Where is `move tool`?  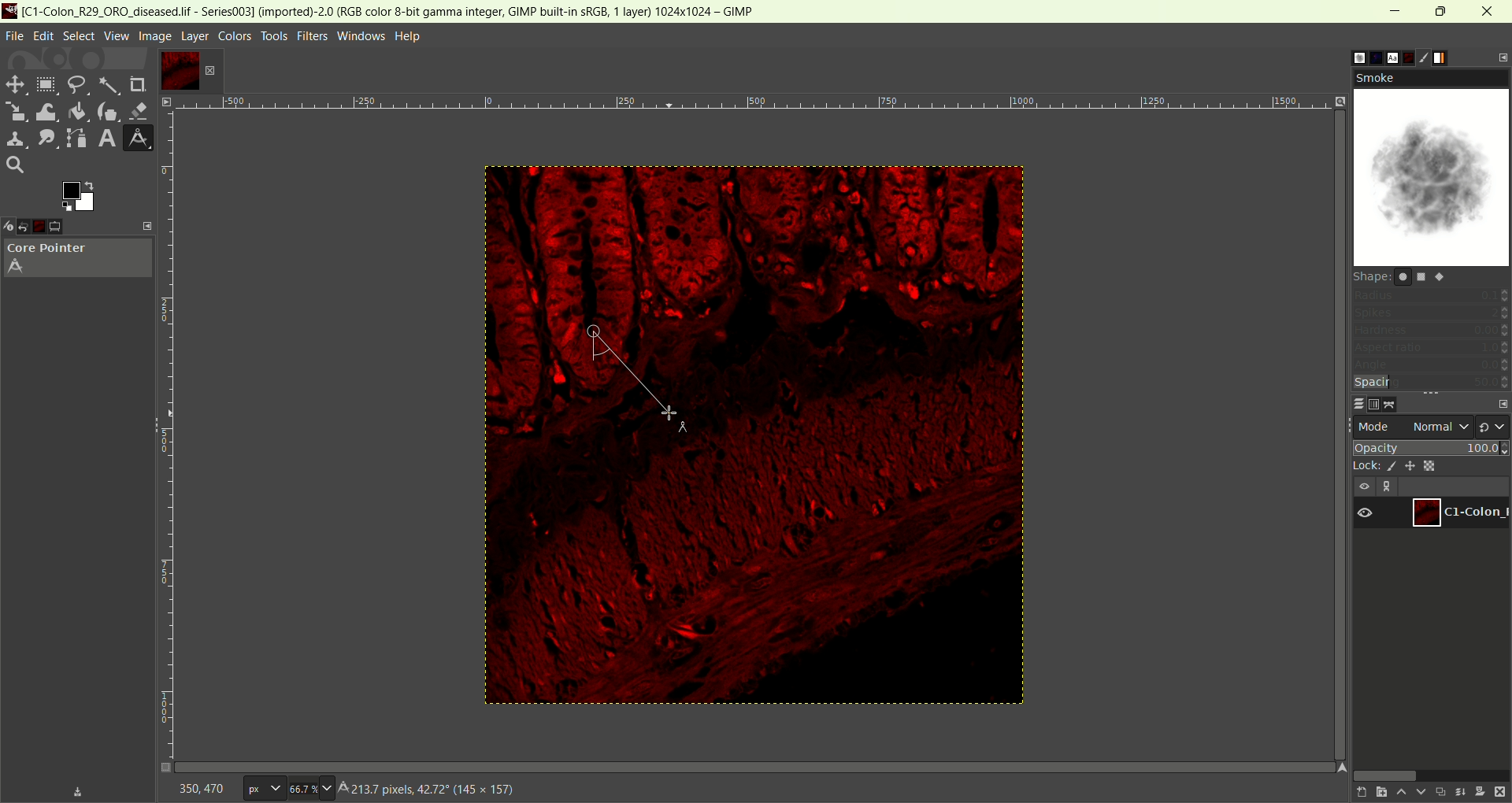
move tool is located at coordinates (13, 83).